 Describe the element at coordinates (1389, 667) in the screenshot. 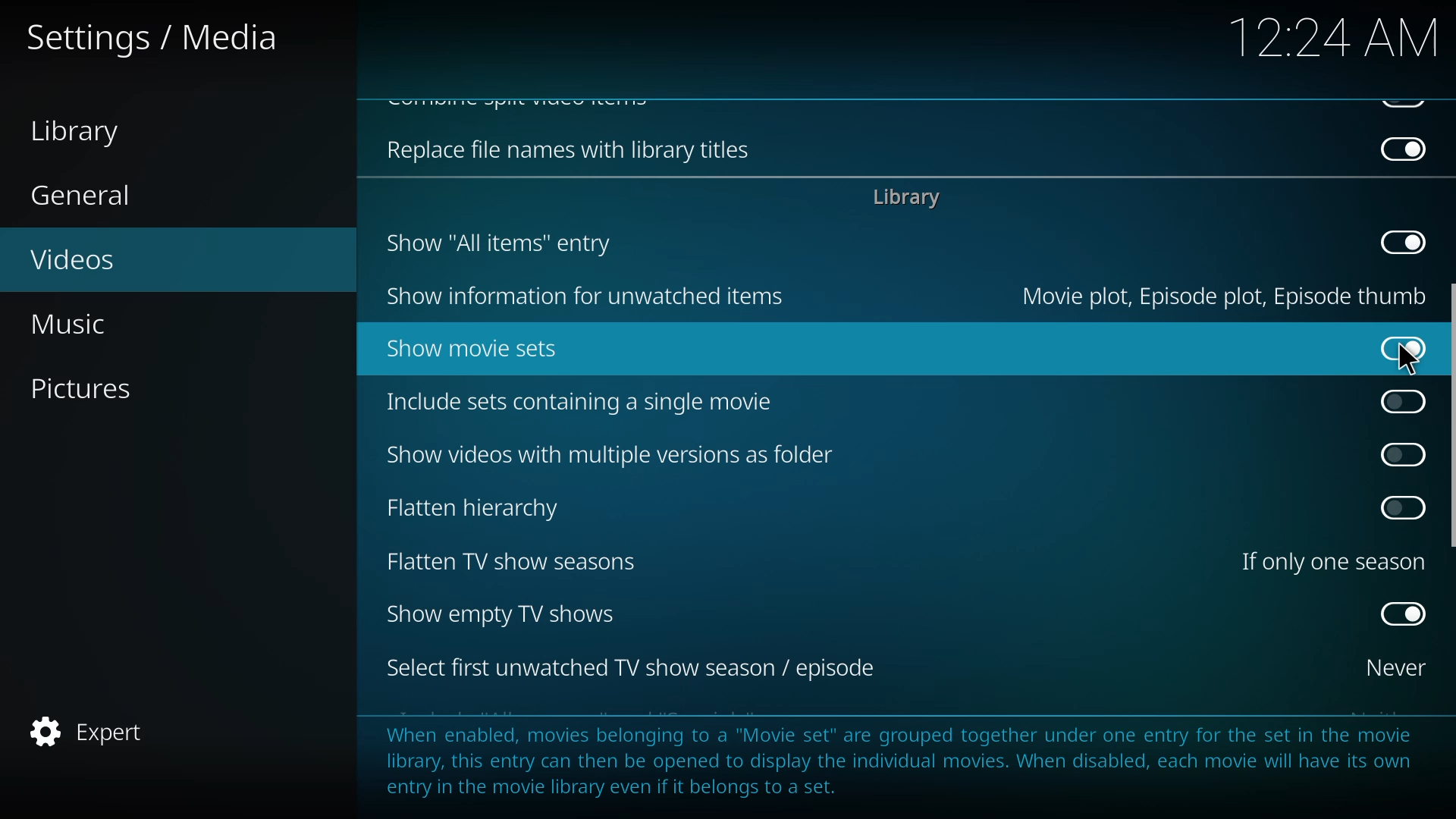

I see `never` at that location.